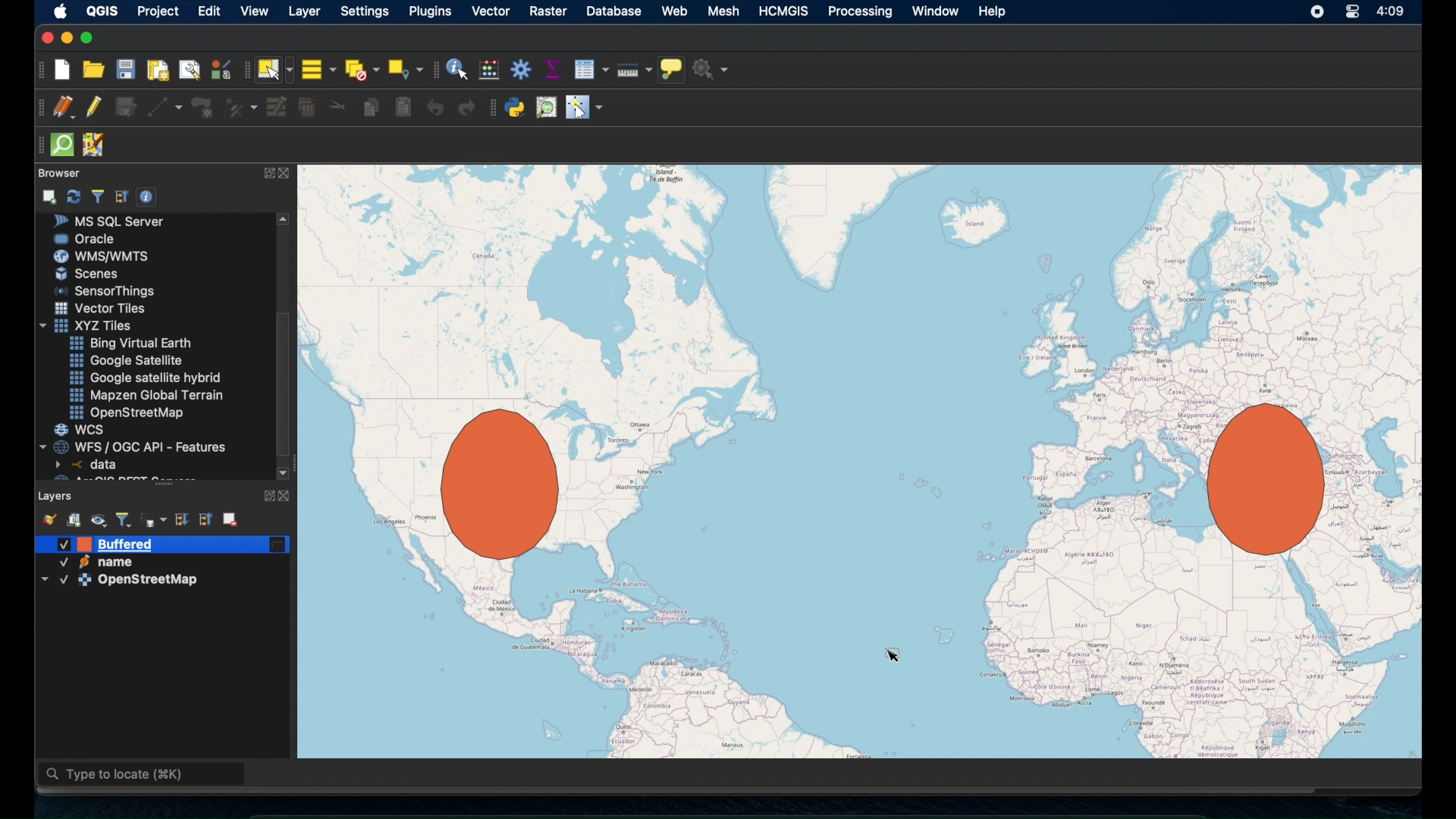  Describe the element at coordinates (406, 67) in the screenshot. I see `select by location` at that location.